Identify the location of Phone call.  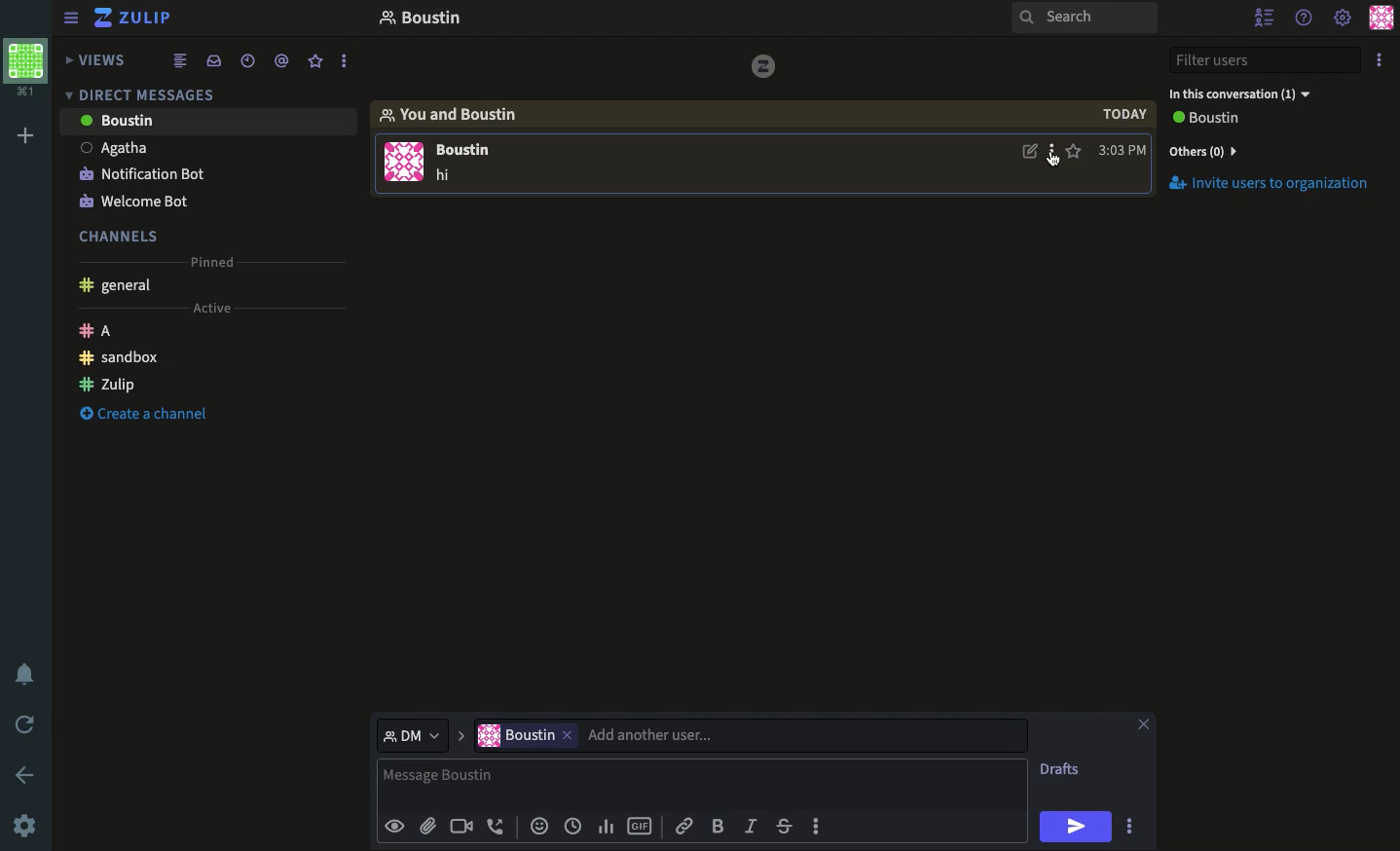
(500, 827).